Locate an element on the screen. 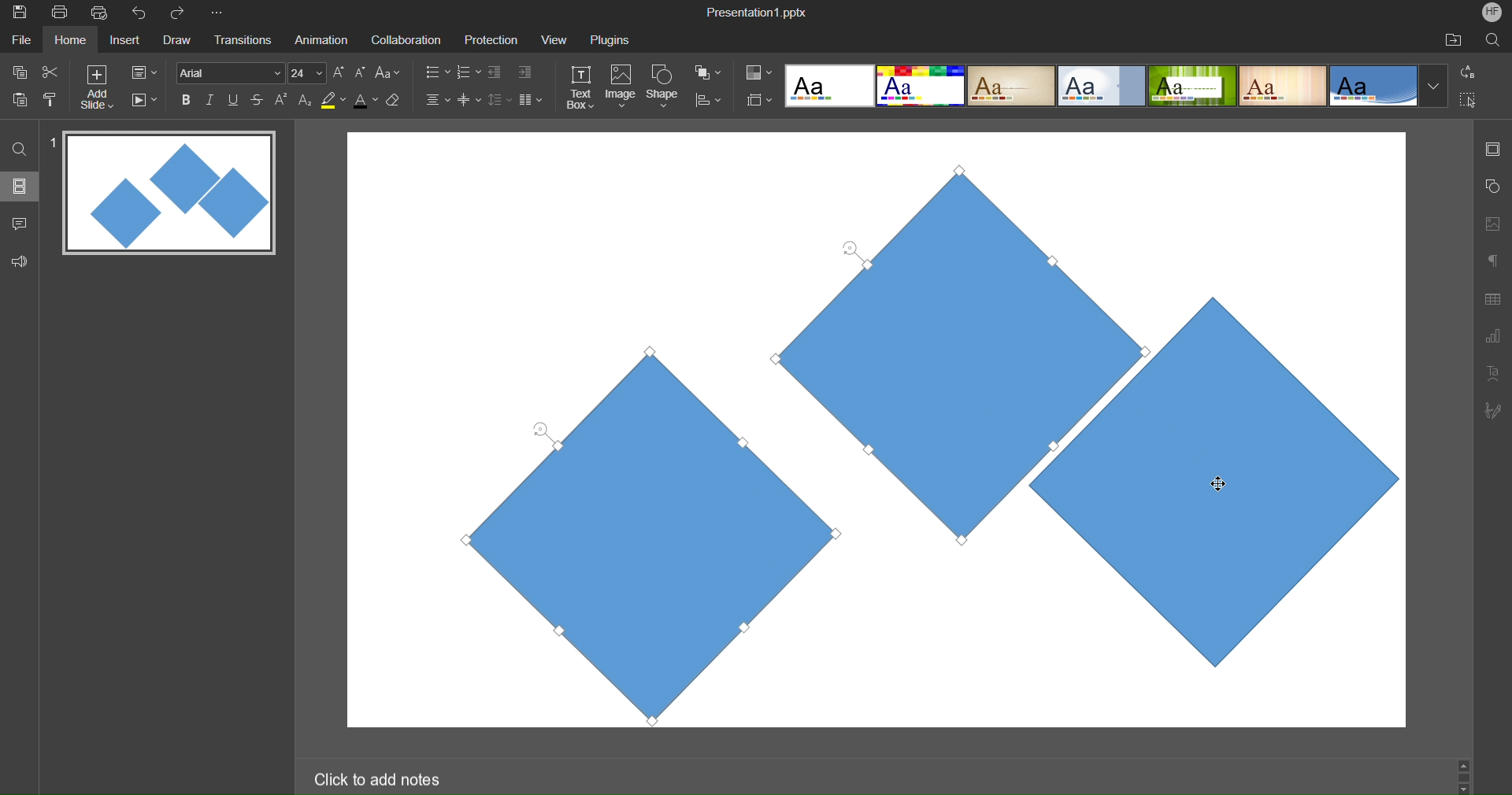 Image resolution: width=1512 pixels, height=795 pixels. Strikethrough is located at coordinates (258, 99).